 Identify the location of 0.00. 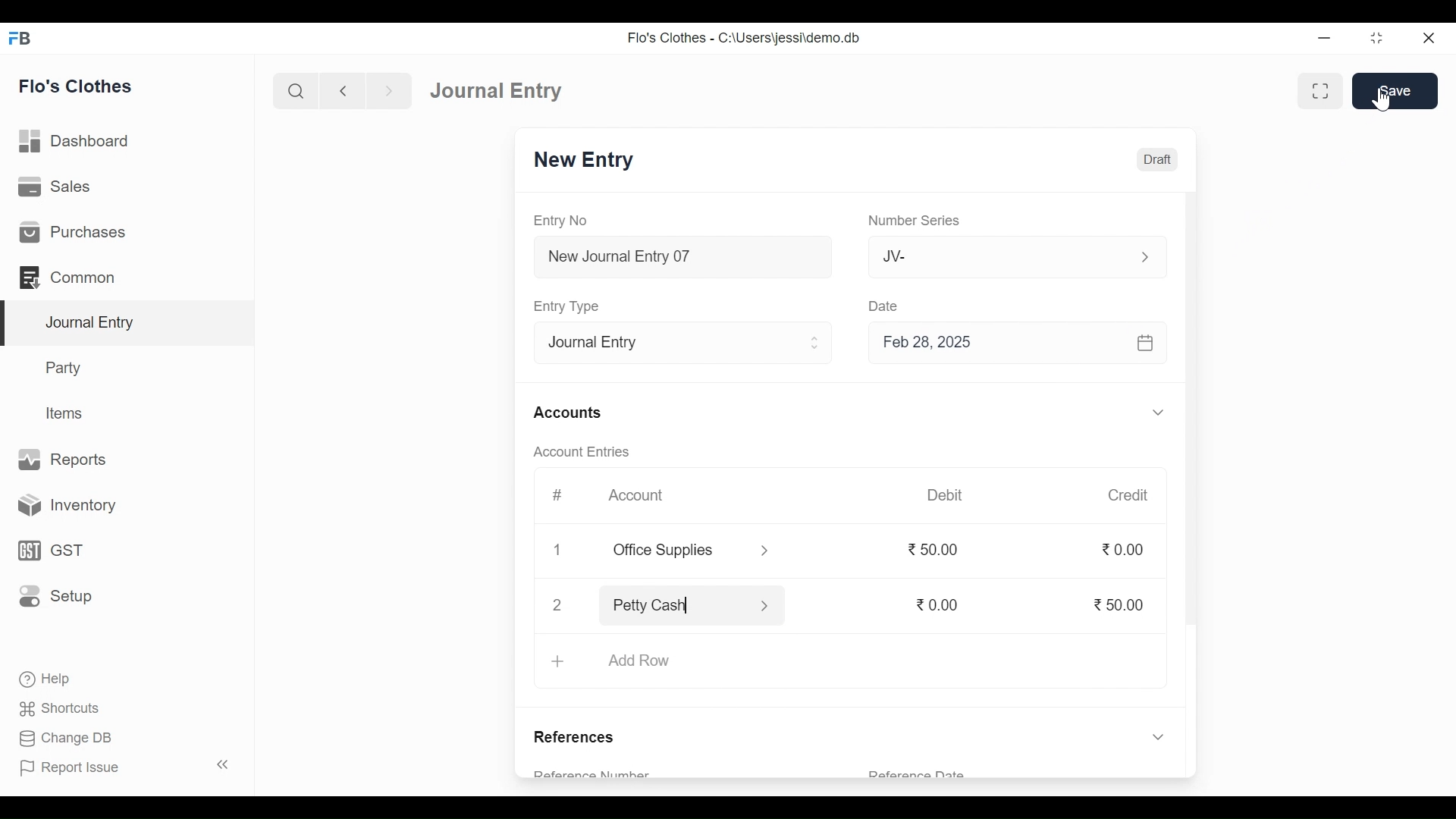
(938, 604).